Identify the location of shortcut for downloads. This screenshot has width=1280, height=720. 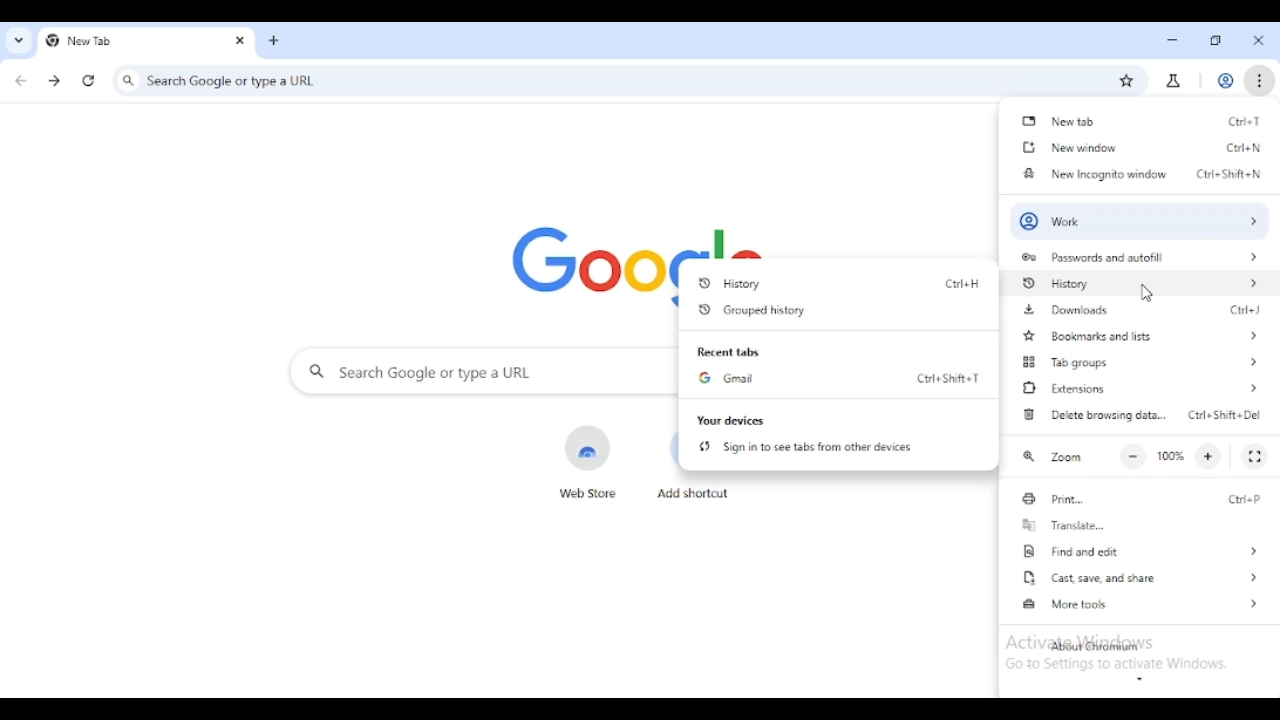
(1246, 309).